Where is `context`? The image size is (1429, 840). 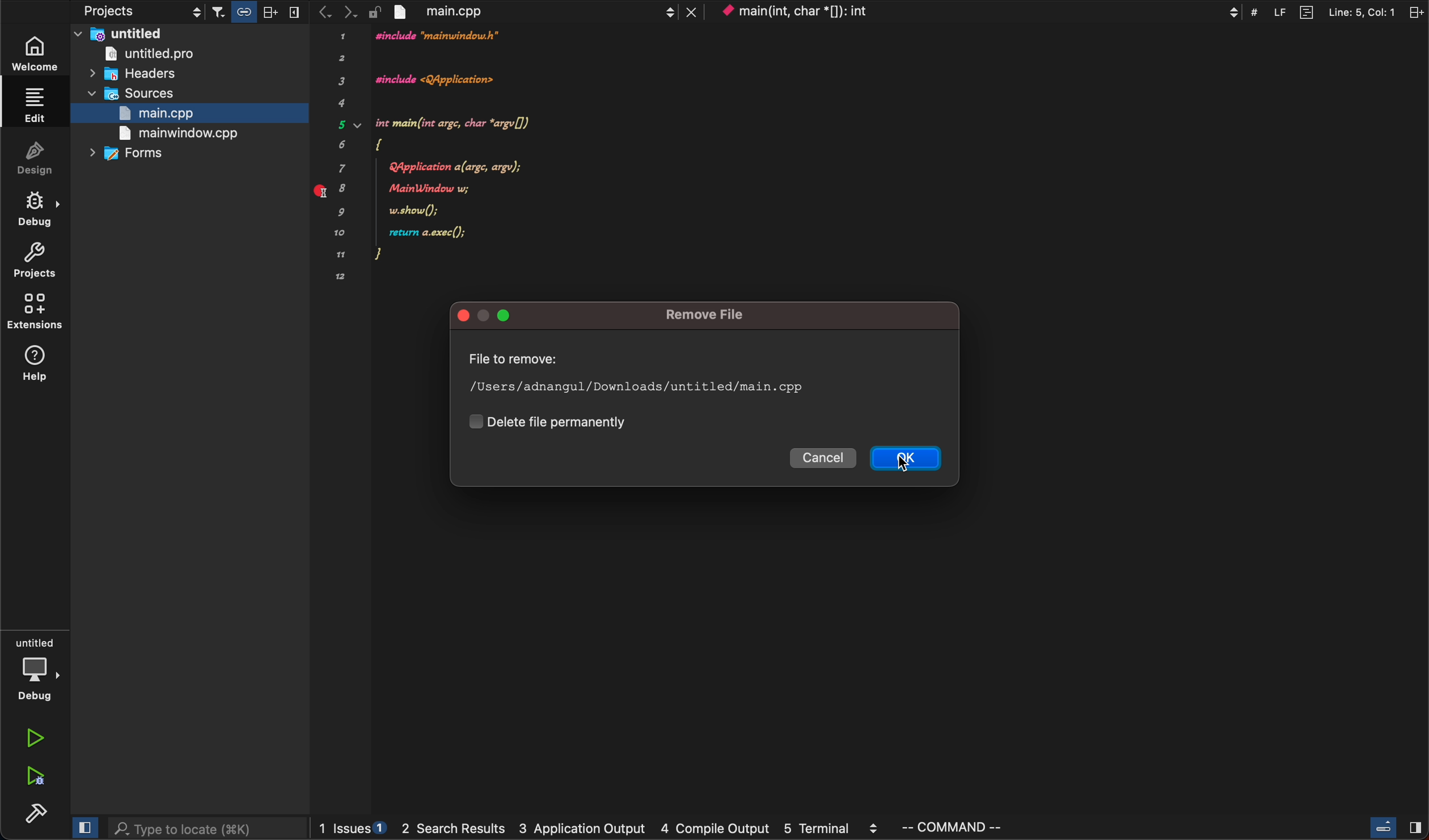 context is located at coordinates (979, 12).